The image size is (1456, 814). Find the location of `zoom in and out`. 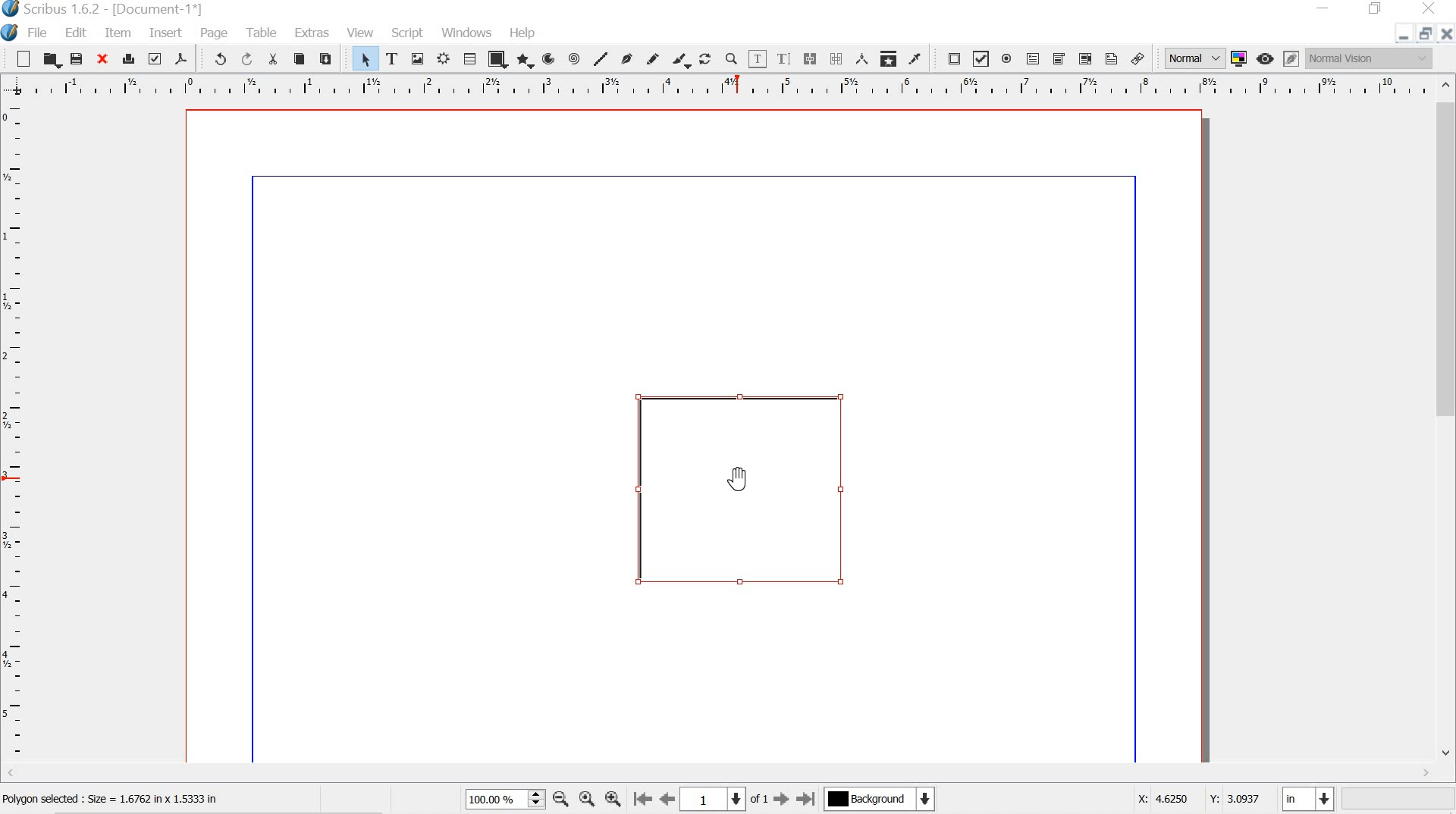

zoom in and out is located at coordinates (537, 799).